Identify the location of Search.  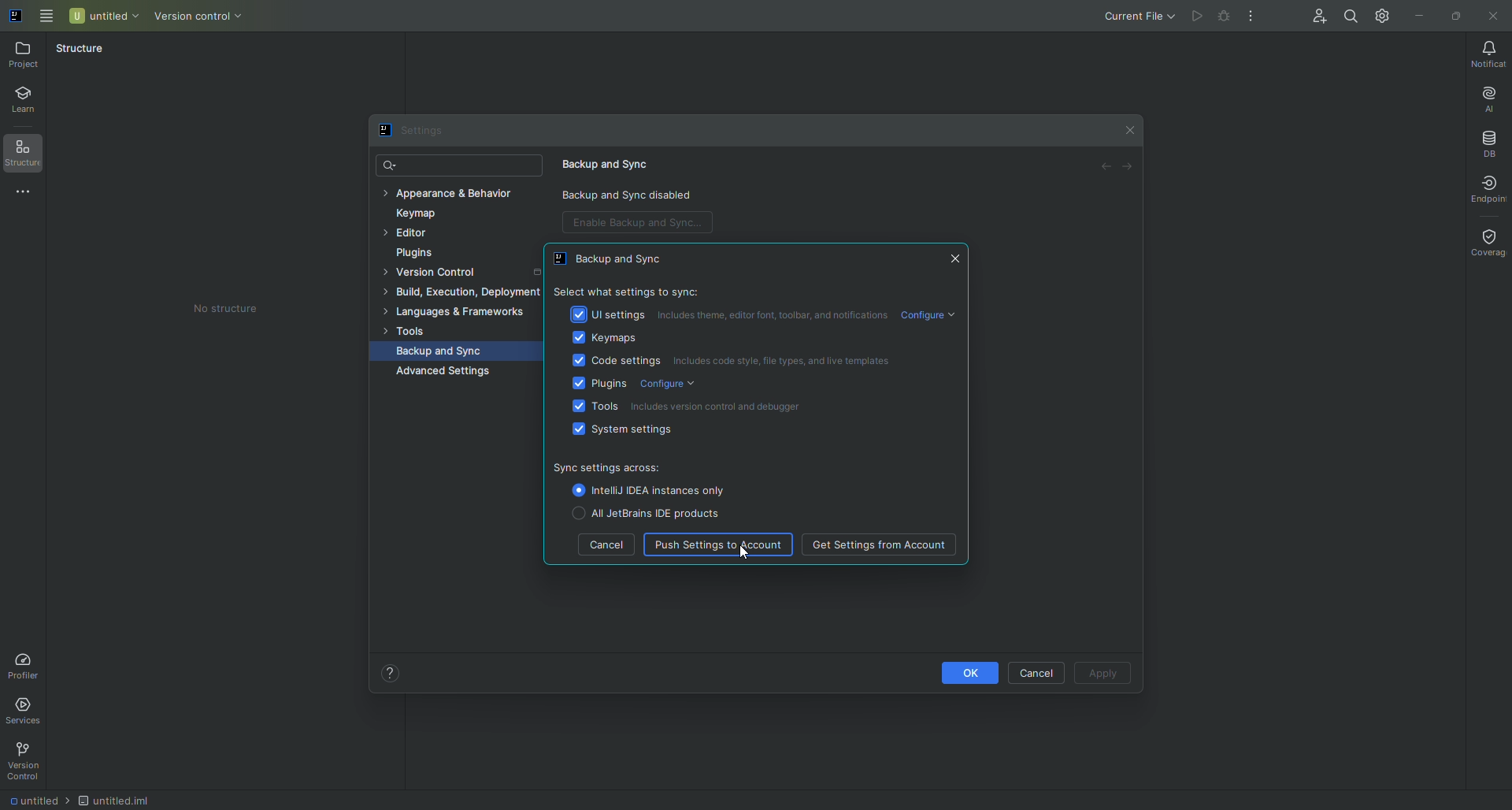
(391, 165).